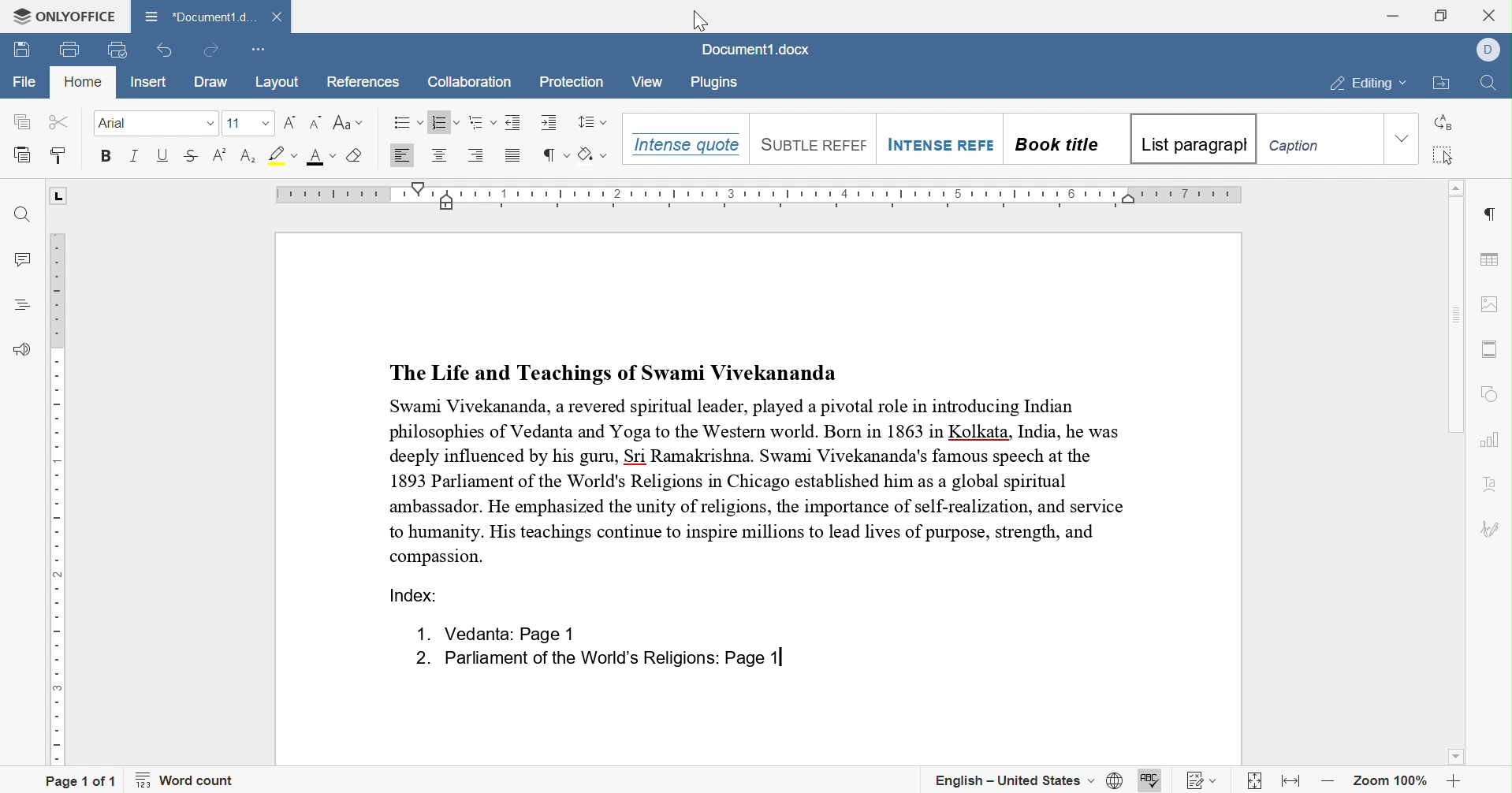 The width and height of the screenshot is (1512, 793). I want to click on highlight color, so click(283, 154).